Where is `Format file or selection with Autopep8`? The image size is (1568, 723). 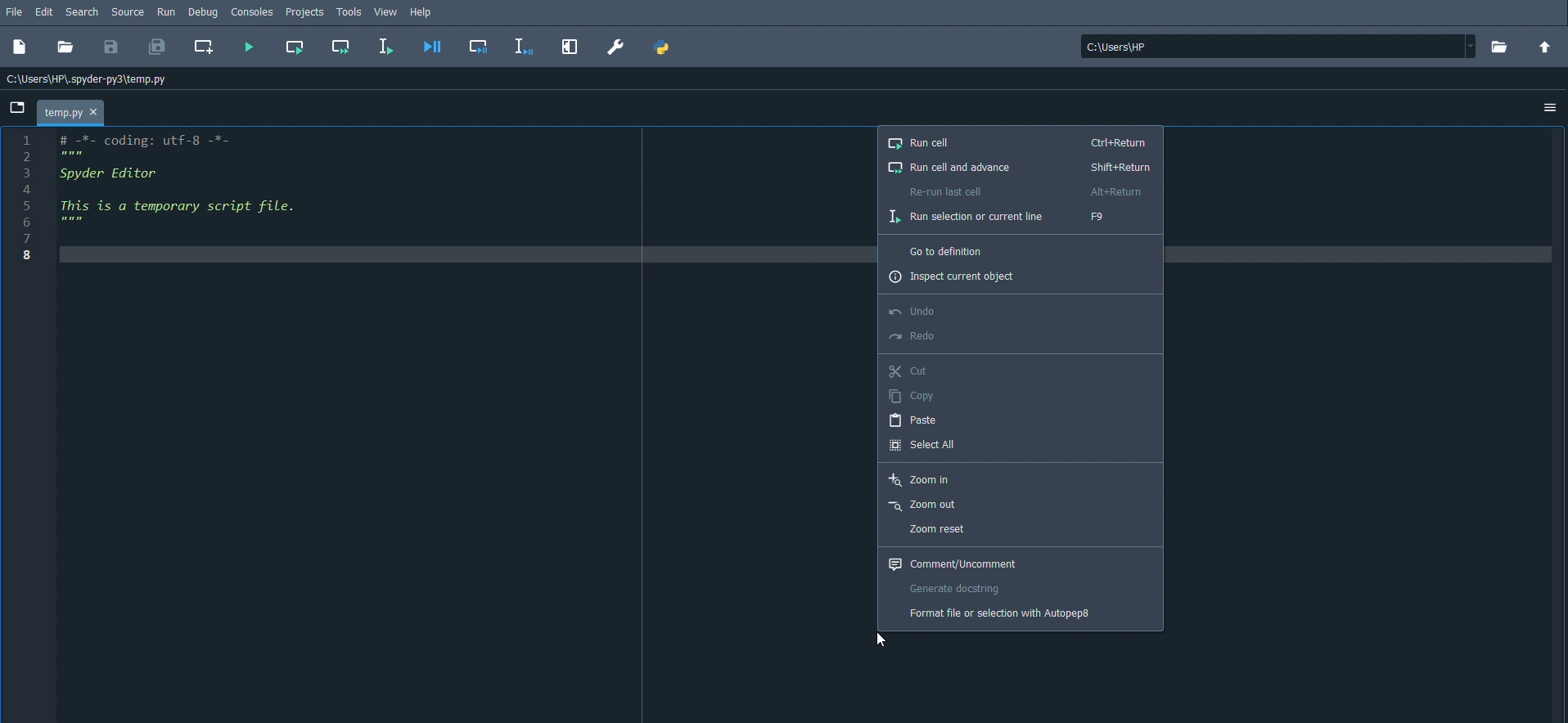
Format file or selection with Autopep8 is located at coordinates (1000, 612).